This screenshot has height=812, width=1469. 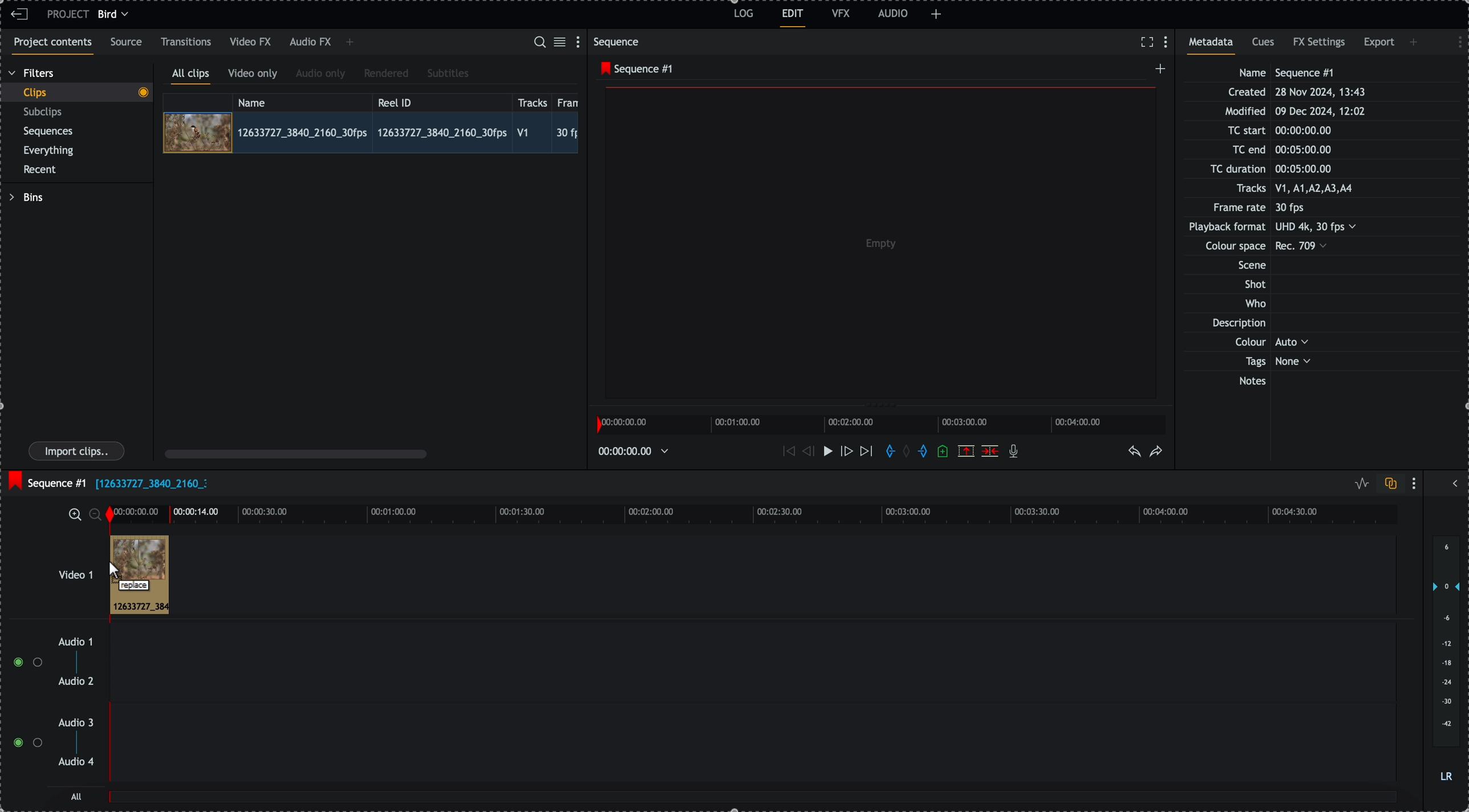 What do you see at coordinates (893, 13) in the screenshot?
I see `AUDIO` at bounding box center [893, 13].